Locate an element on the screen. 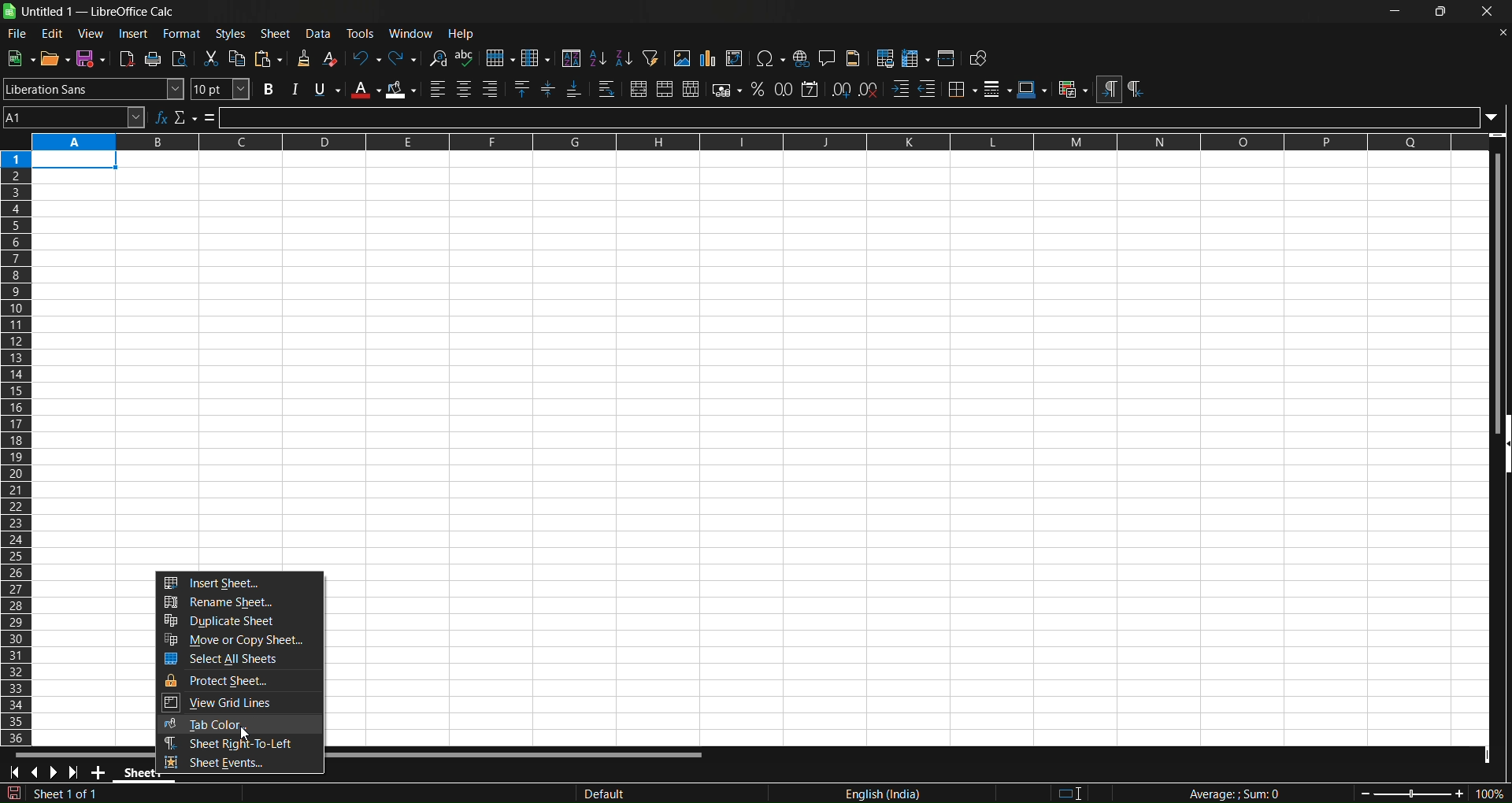  format as currency is located at coordinates (728, 91).